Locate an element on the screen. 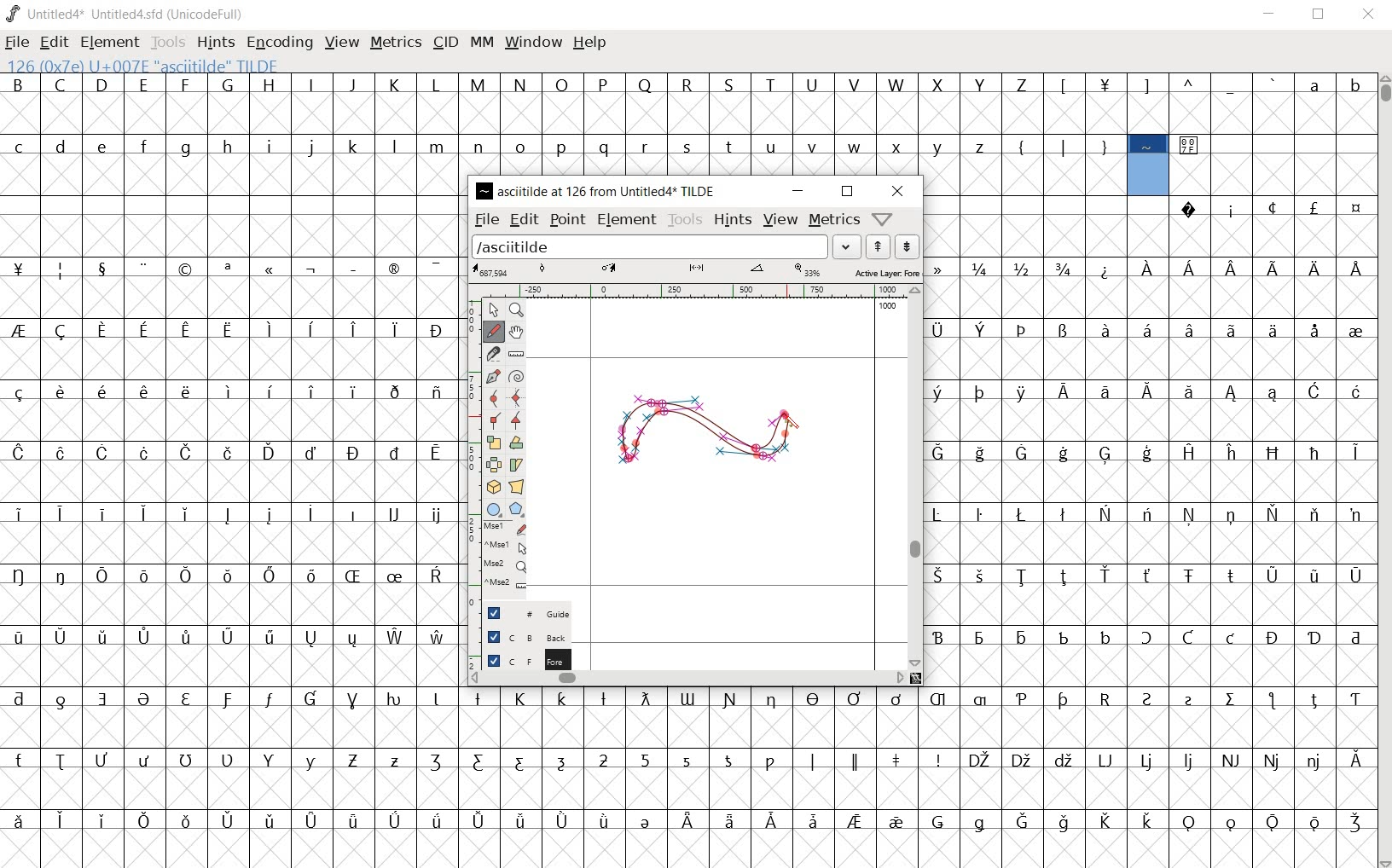 This screenshot has width=1392, height=868. guide is located at coordinates (518, 610).